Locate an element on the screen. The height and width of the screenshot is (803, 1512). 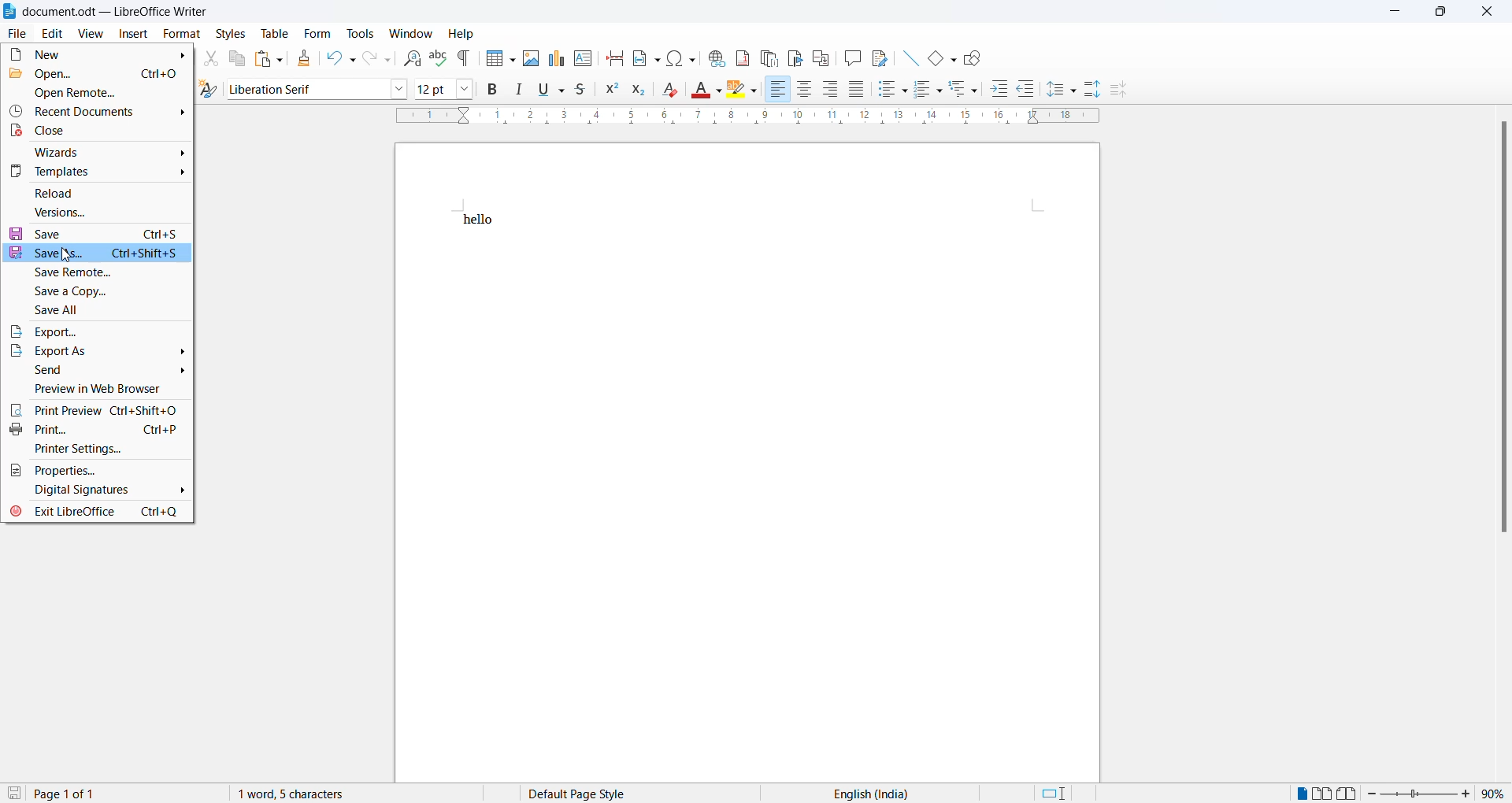
Align Left is located at coordinates (777, 90).